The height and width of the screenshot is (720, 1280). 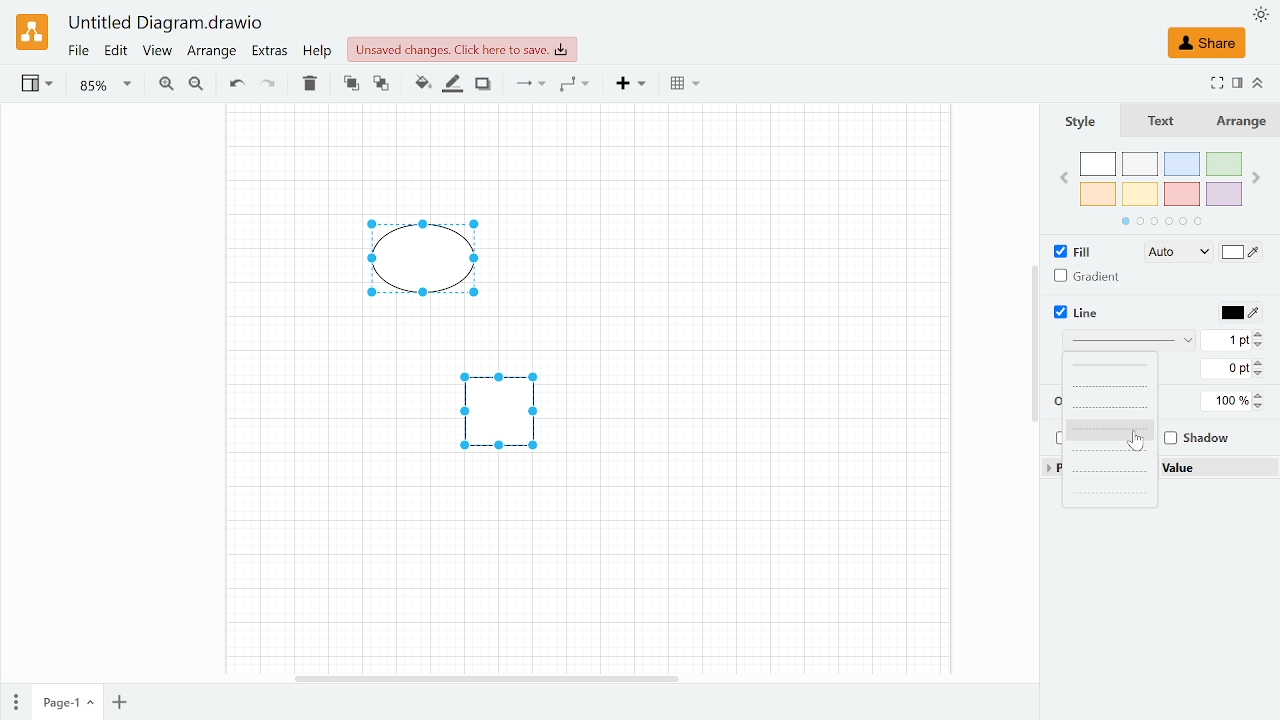 I want to click on Dashed 1, so click(x=1108, y=387).